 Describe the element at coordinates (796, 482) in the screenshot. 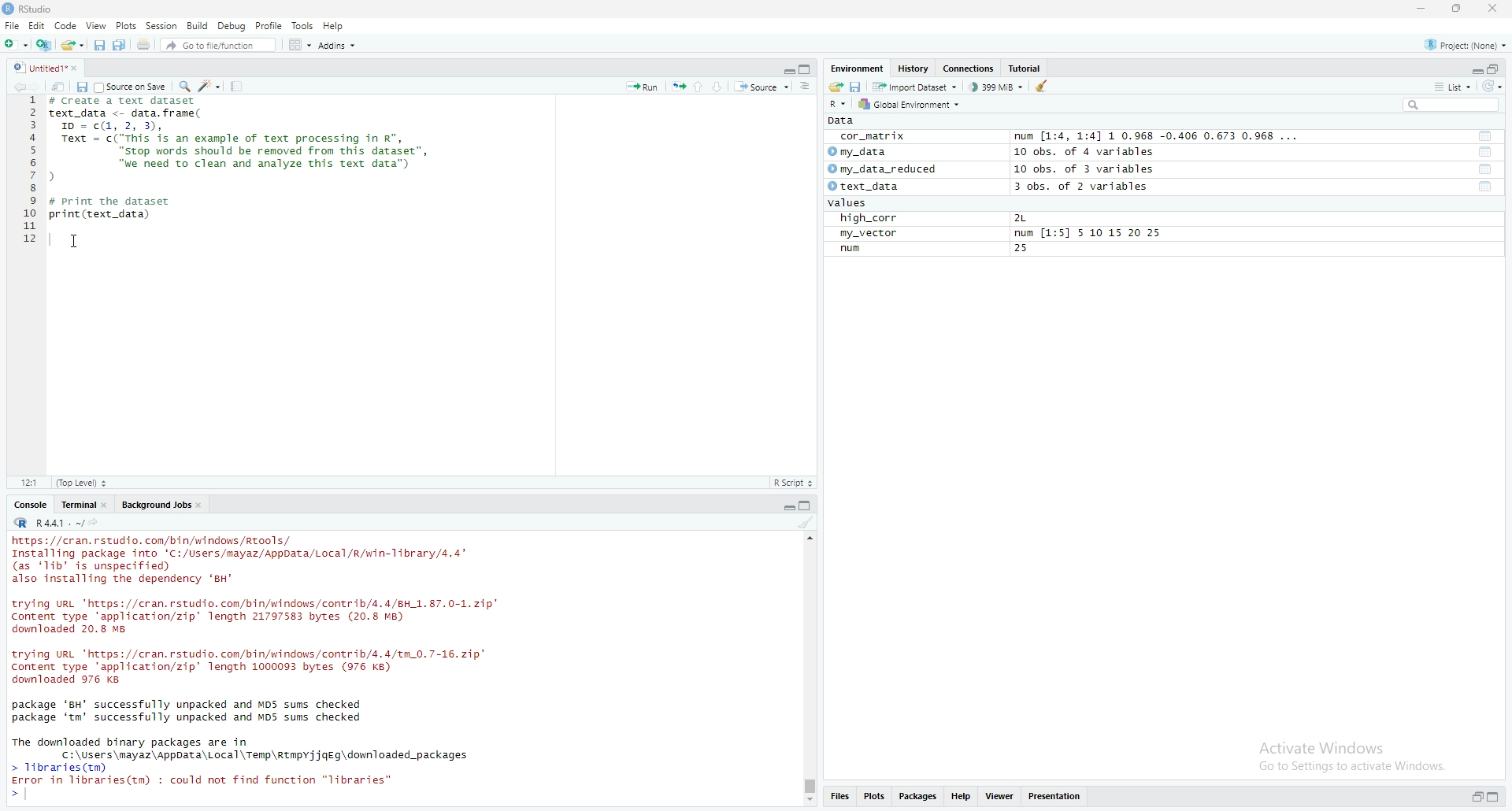

I see `R-script` at that location.